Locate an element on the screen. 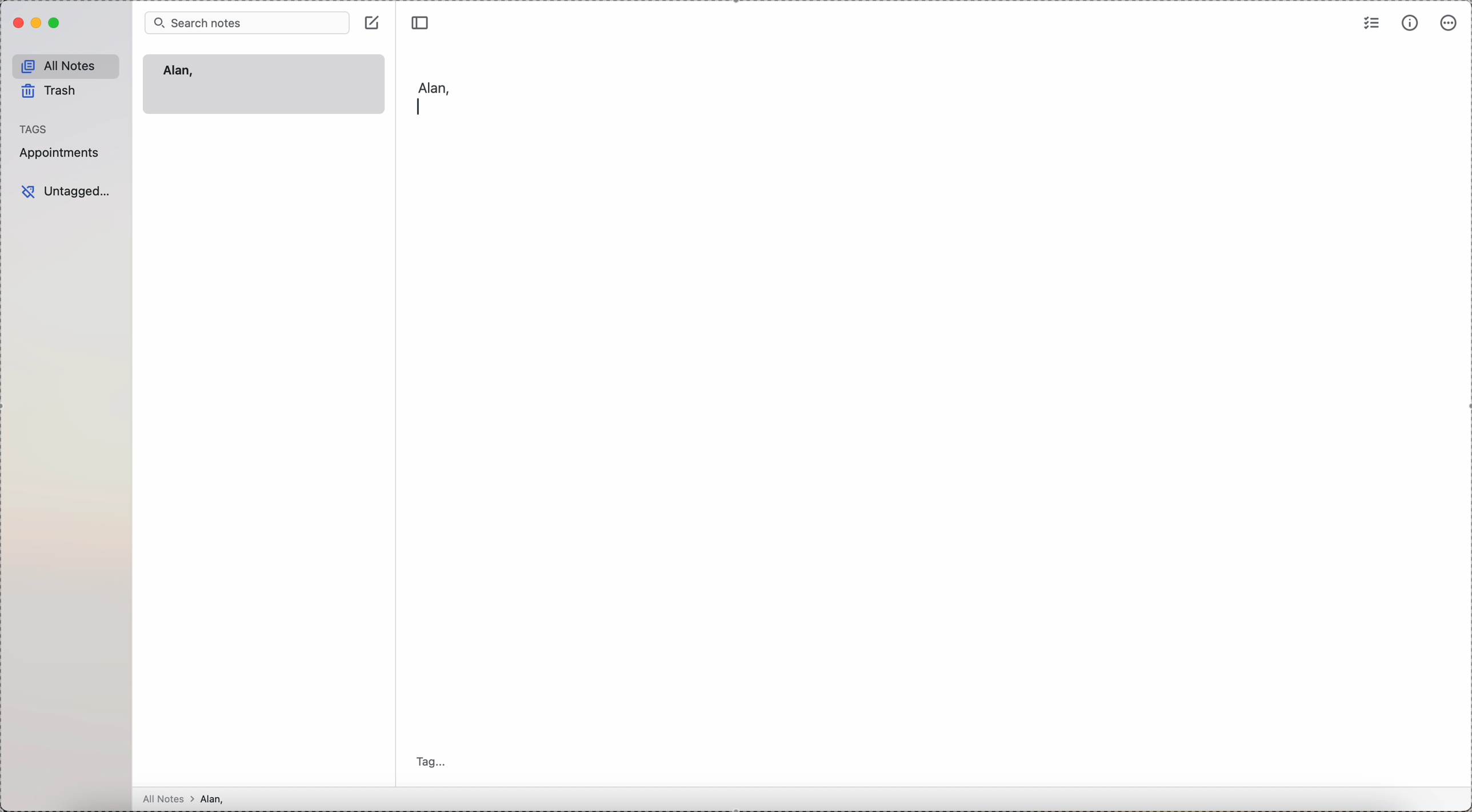  search bar is located at coordinates (247, 22).